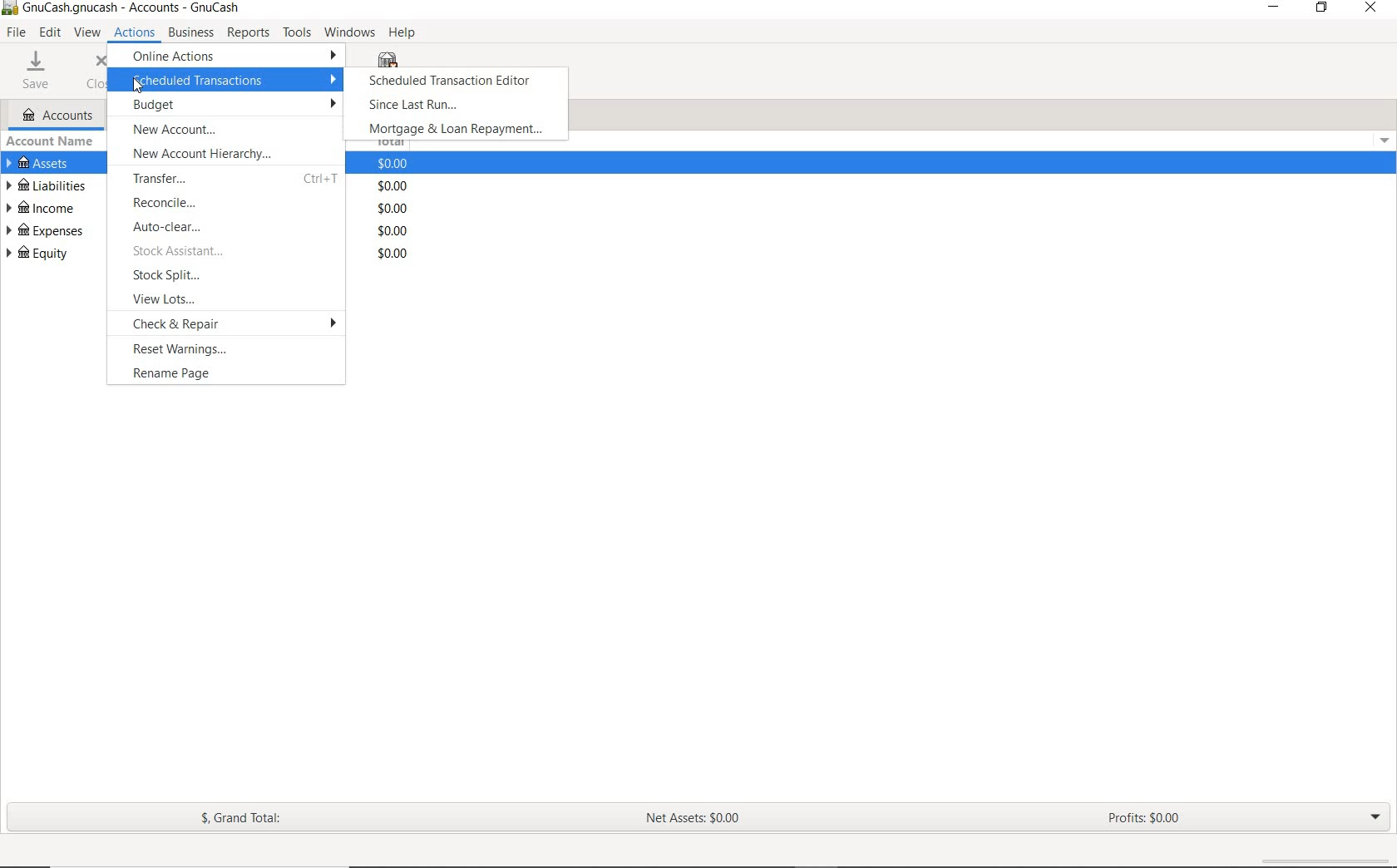 The height and width of the screenshot is (868, 1397). I want to click on NEWACCOUNT, so click(229, 131).